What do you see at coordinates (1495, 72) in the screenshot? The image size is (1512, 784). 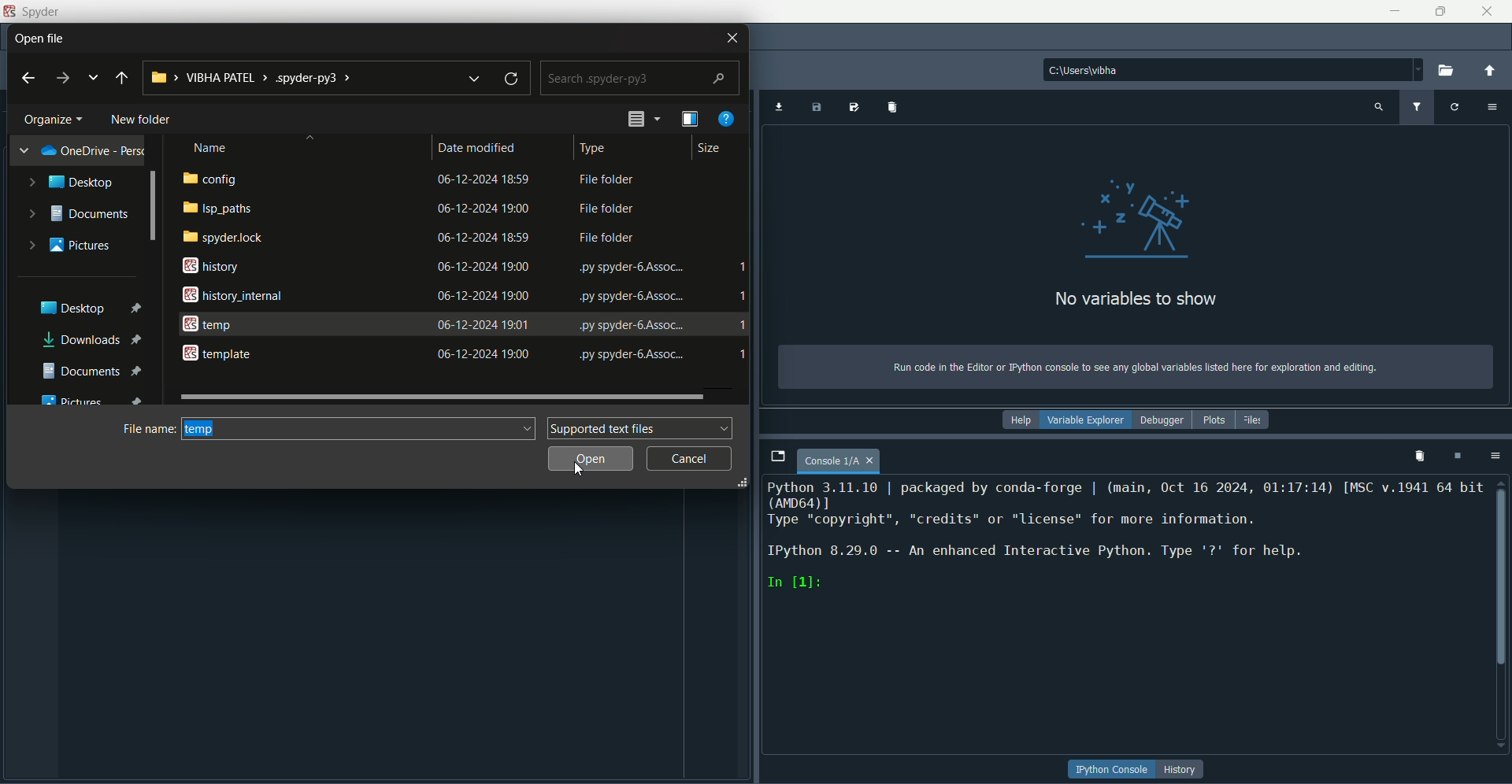 I see `change to parent directory` at bounding box center [1495, 72].